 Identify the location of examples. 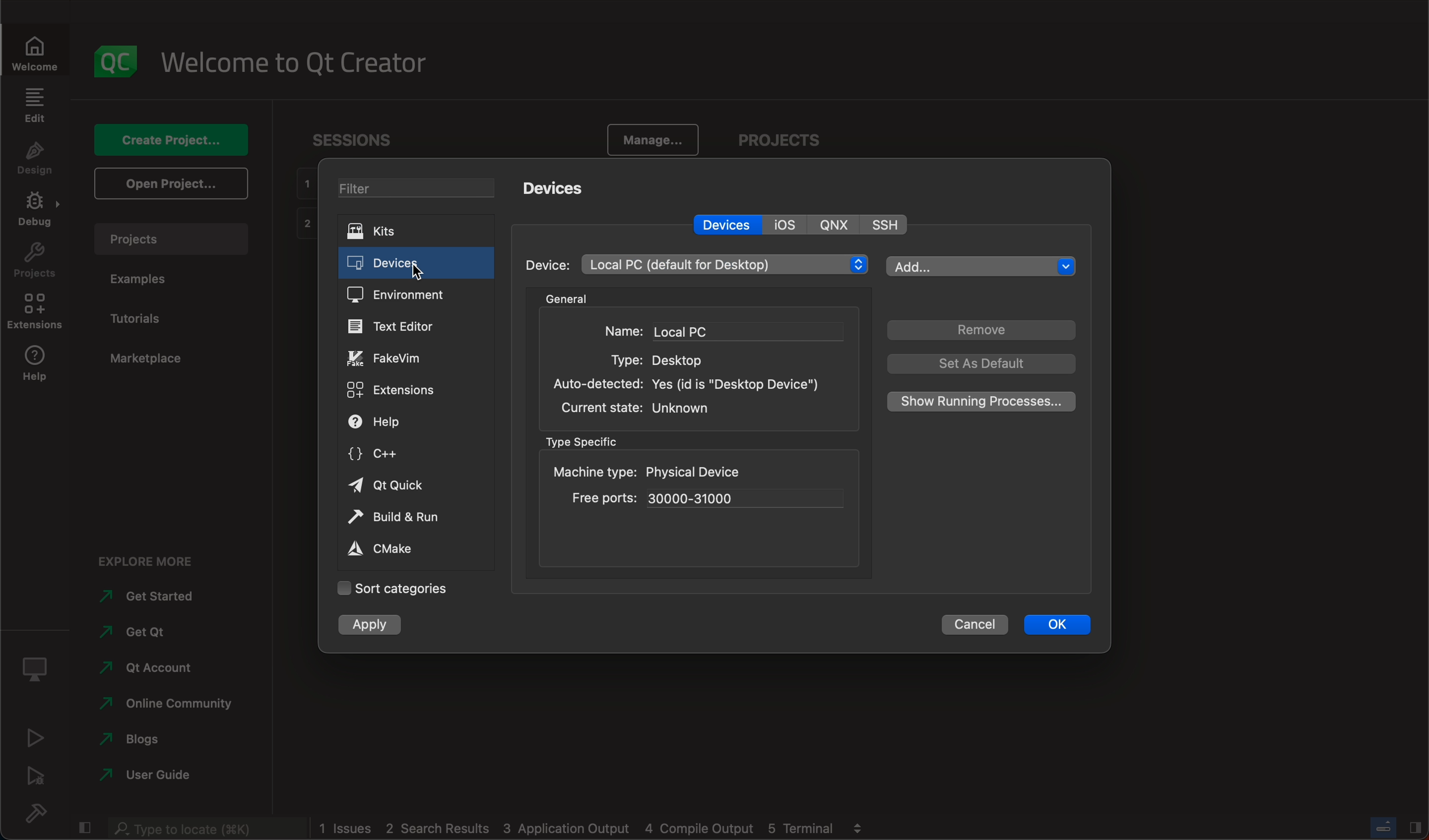
(141, 280).